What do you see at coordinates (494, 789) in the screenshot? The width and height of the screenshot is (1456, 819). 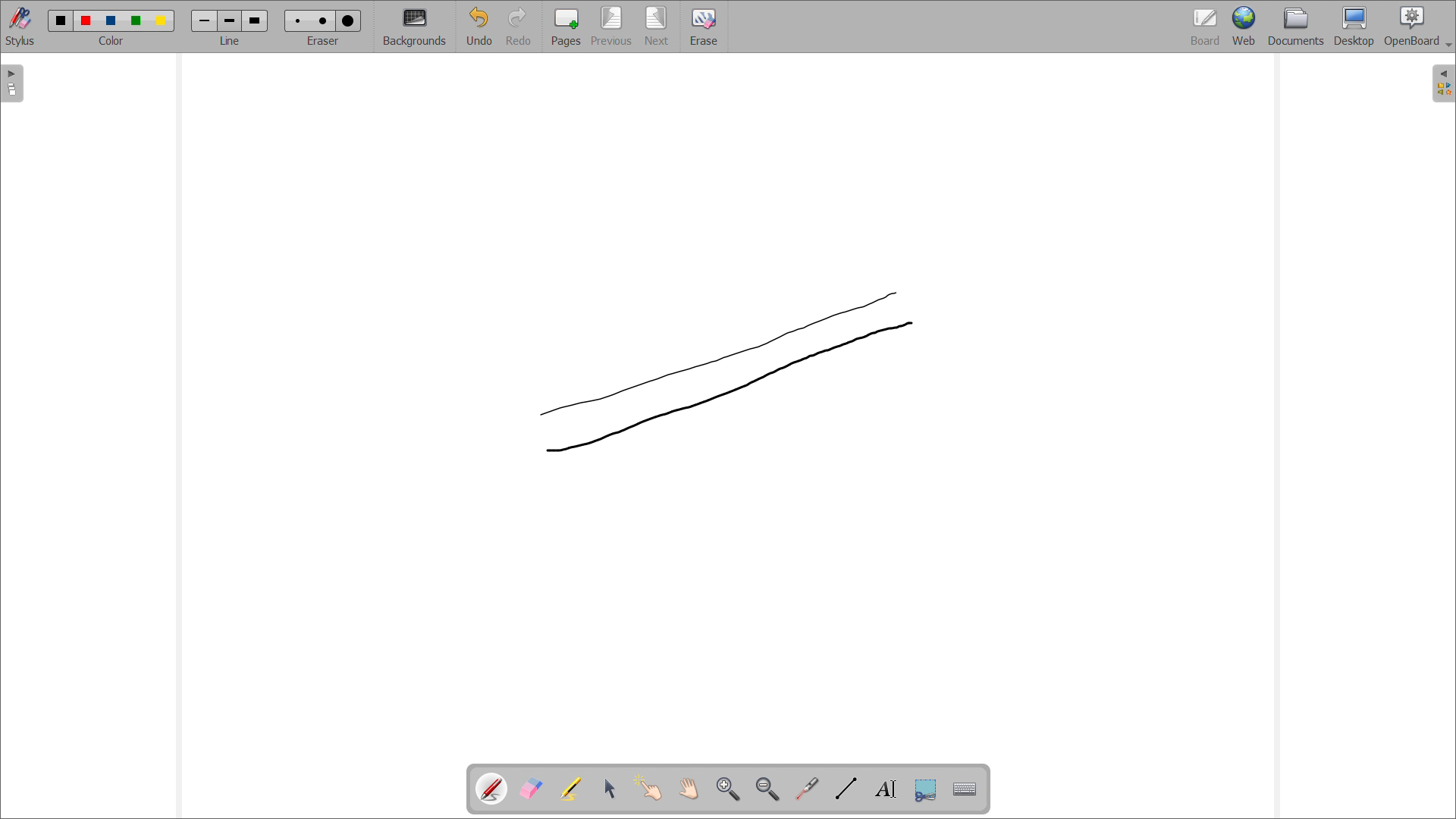 I see `pen tool` at bounding box center [494, 789].